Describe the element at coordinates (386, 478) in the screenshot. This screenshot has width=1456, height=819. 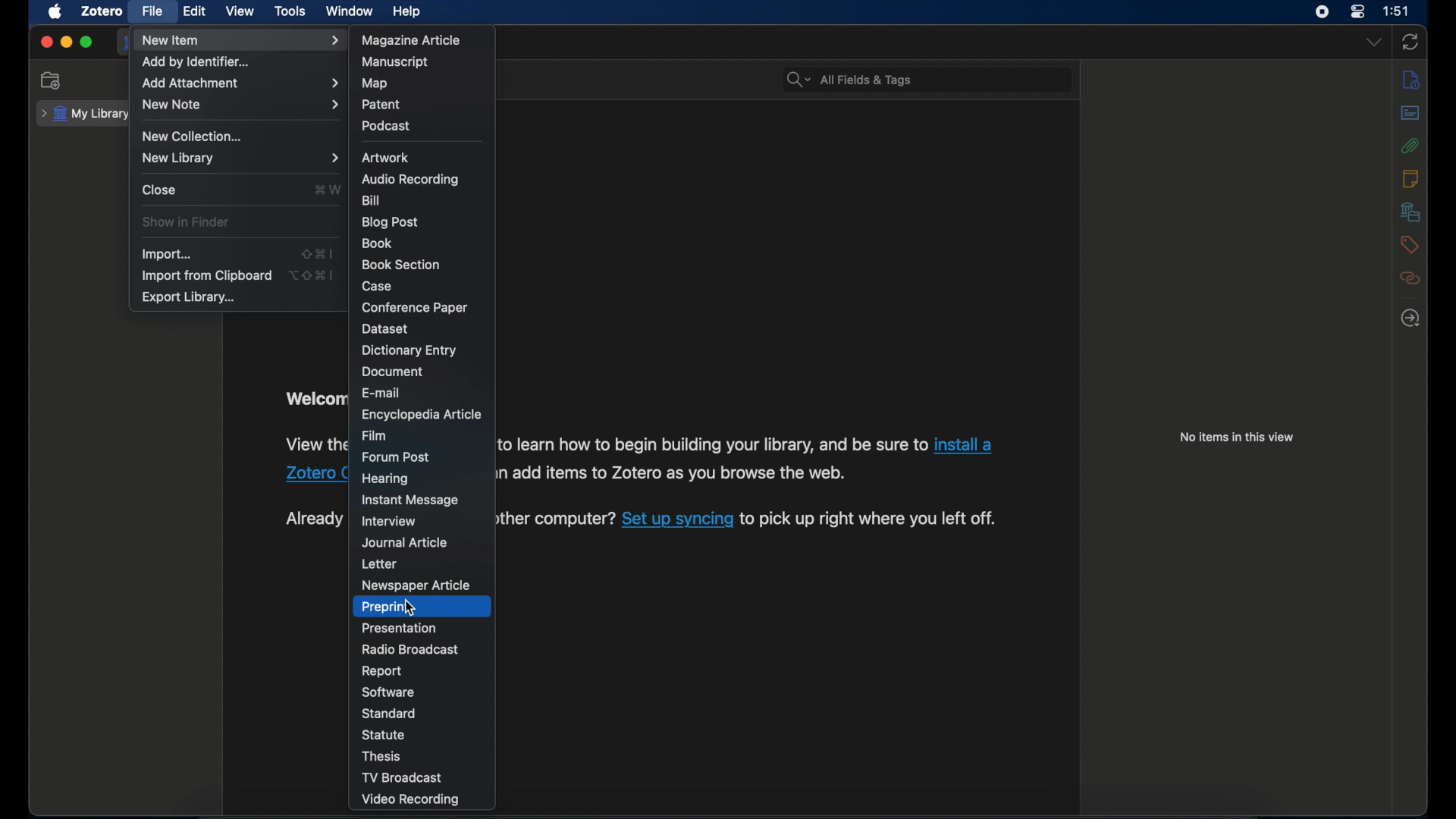
I see `hearing` at that location.